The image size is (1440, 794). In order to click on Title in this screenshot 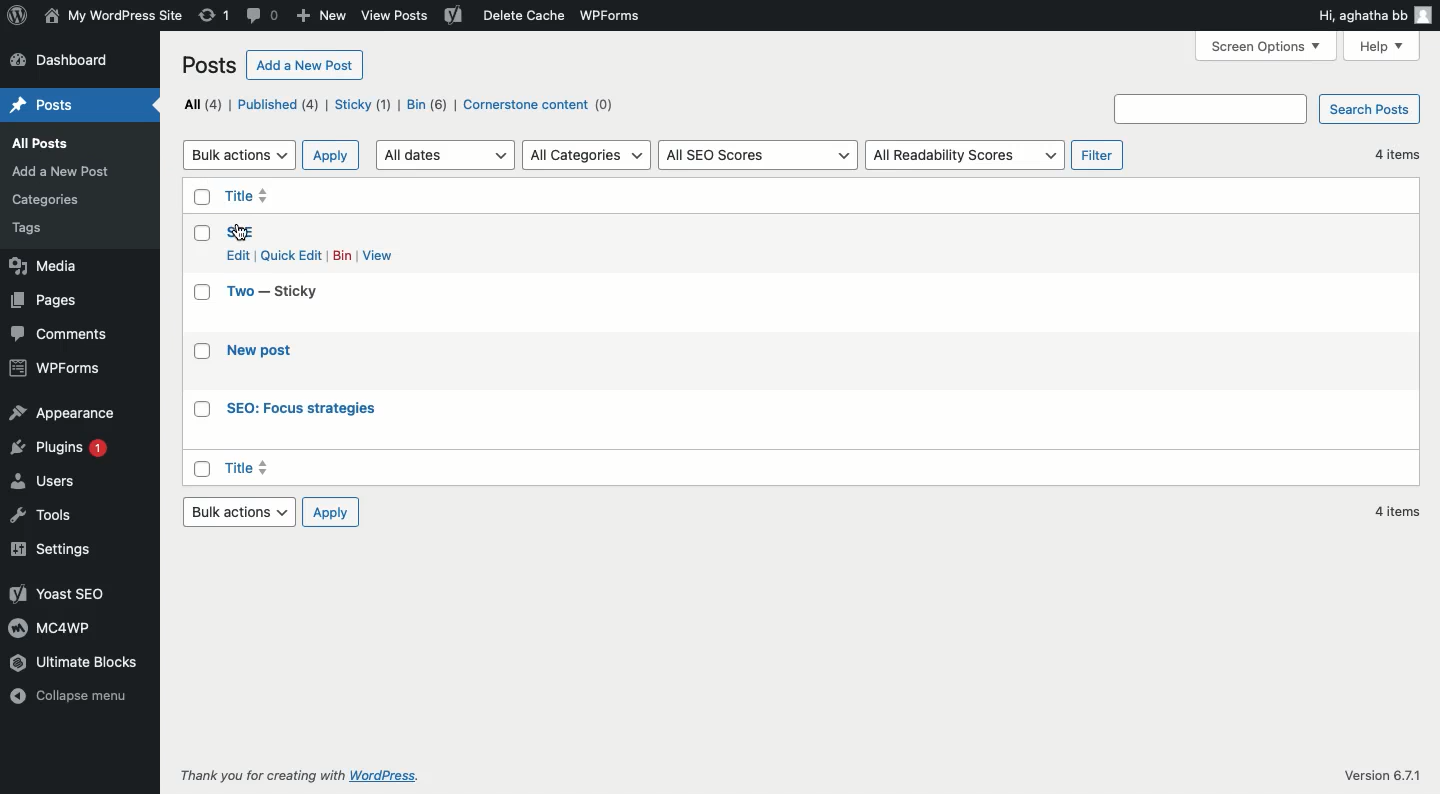, I will do `click(328, 469)`.